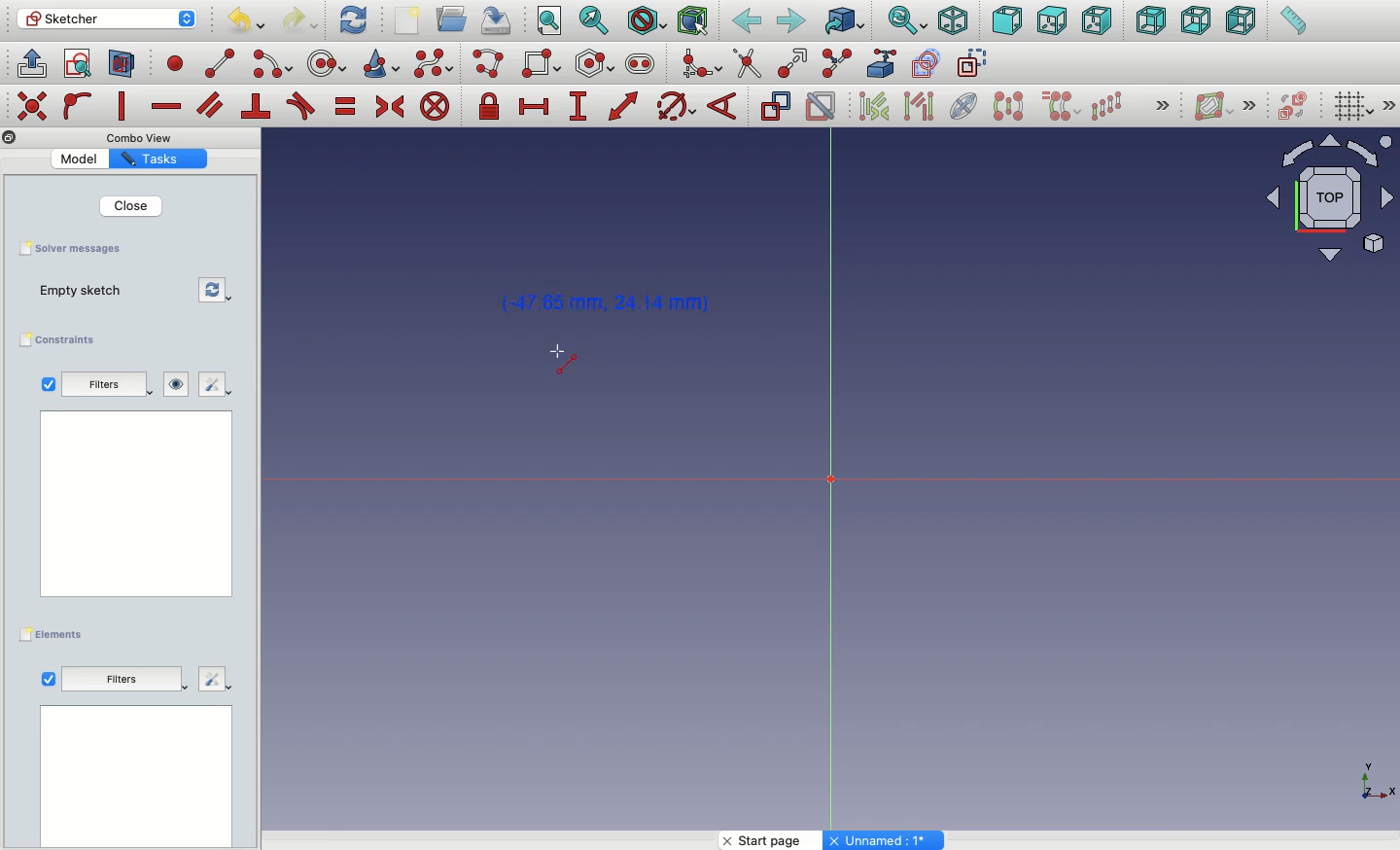 This screenshot has height=850, width=1400. Describe the element at coordinates (215, 291) in the screenshot. I see `Refresh` at that location.